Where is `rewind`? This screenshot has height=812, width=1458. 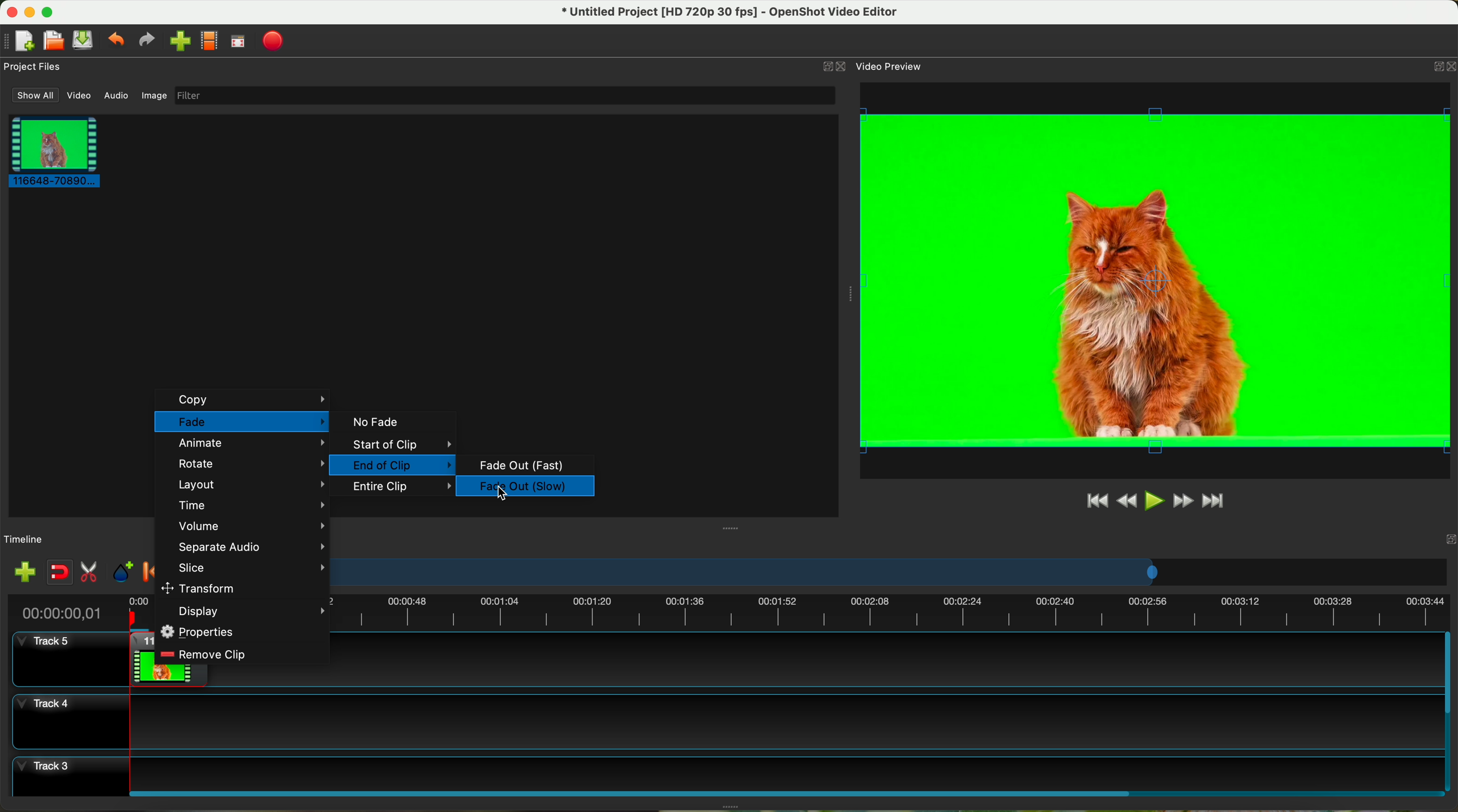 rewind is located at coordinates (1128, 501).